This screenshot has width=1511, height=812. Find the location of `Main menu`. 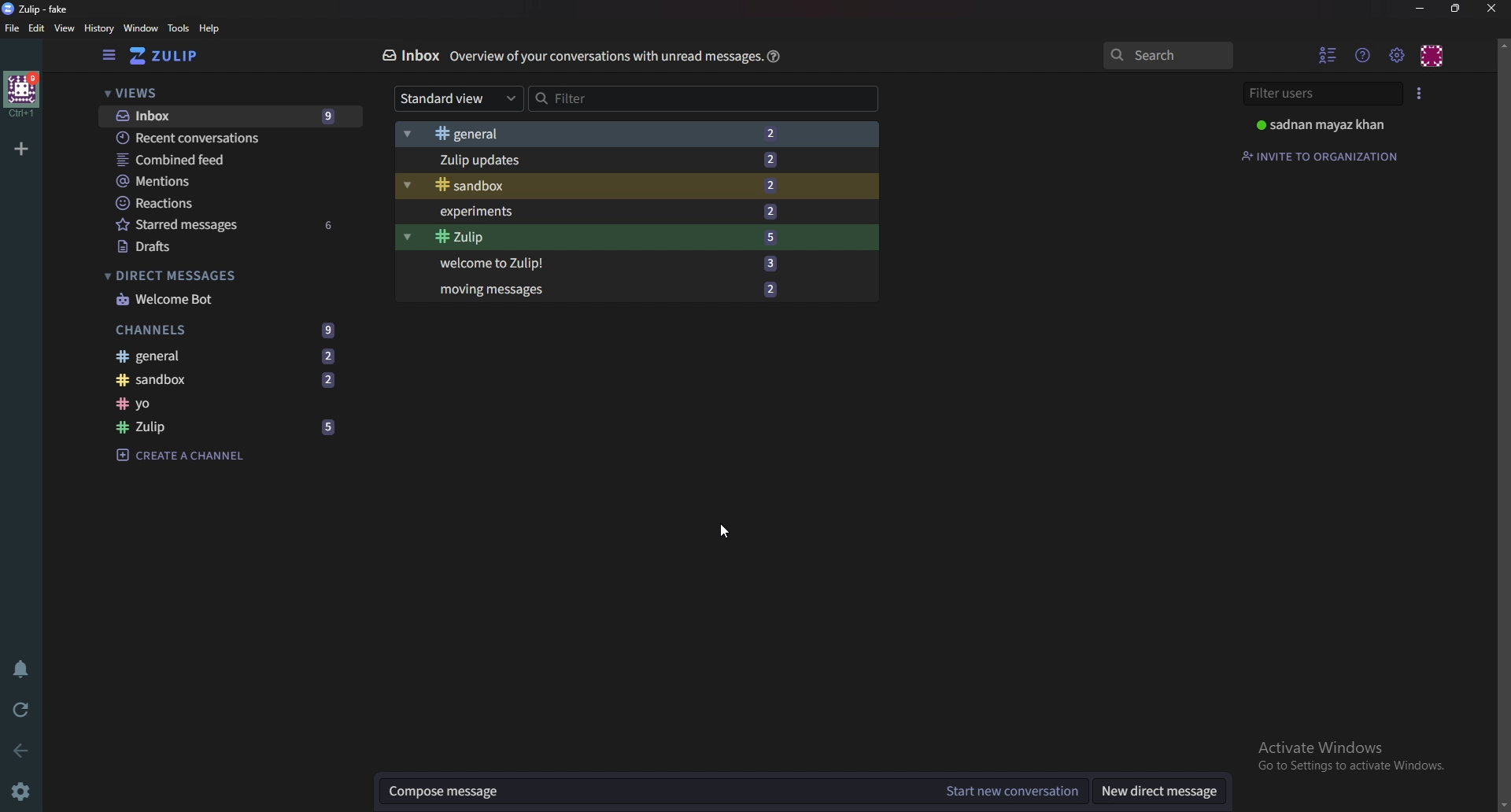

Main menu is located at coordinates (1397, 55).